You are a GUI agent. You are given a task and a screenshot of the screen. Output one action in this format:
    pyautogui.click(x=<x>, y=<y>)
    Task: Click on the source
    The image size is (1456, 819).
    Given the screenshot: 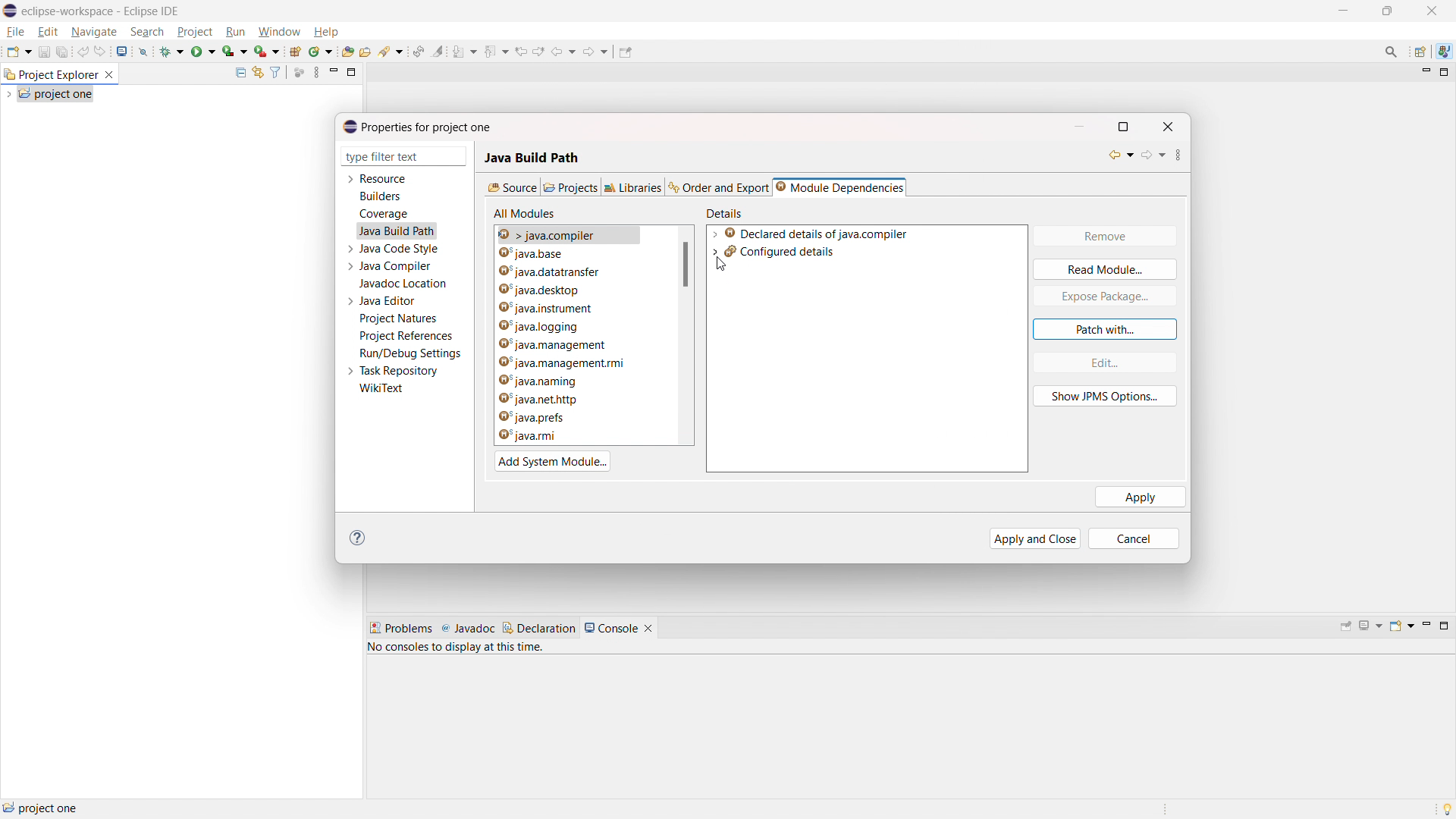 What is the action you would take?
    pyautogui.click(x=511, y=187)
    